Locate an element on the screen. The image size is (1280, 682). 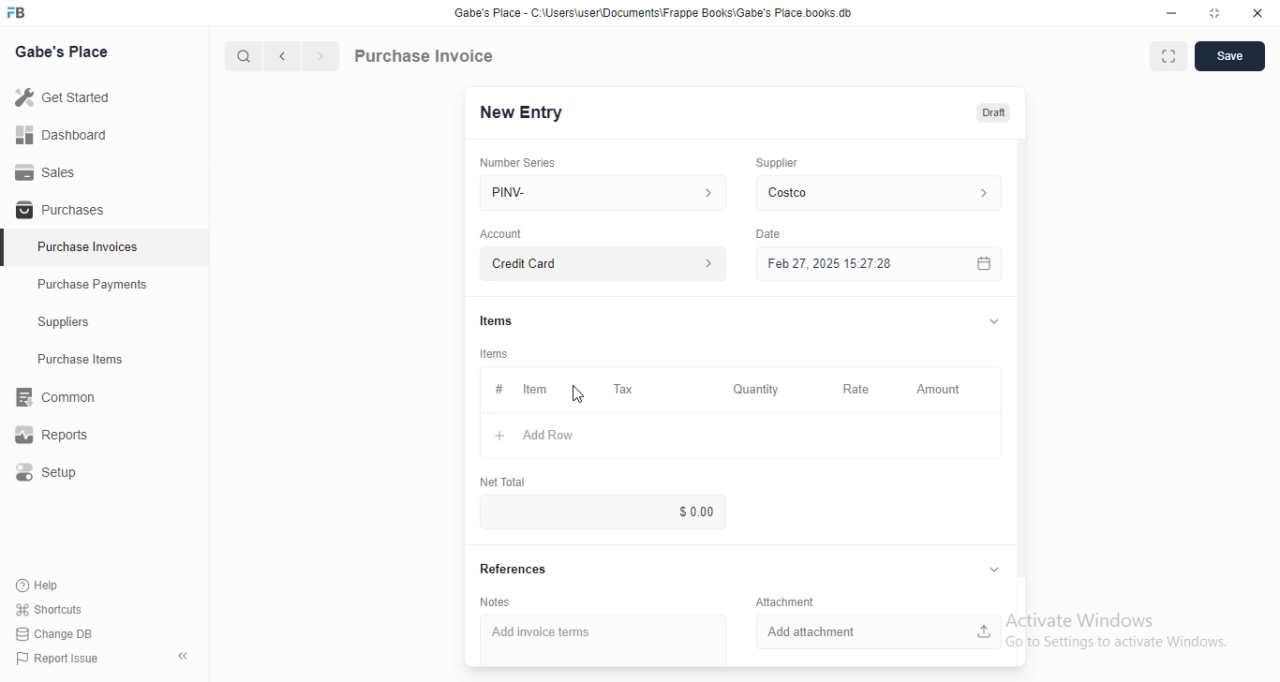
Purchase Invoice is located at coordinates (425, 55).